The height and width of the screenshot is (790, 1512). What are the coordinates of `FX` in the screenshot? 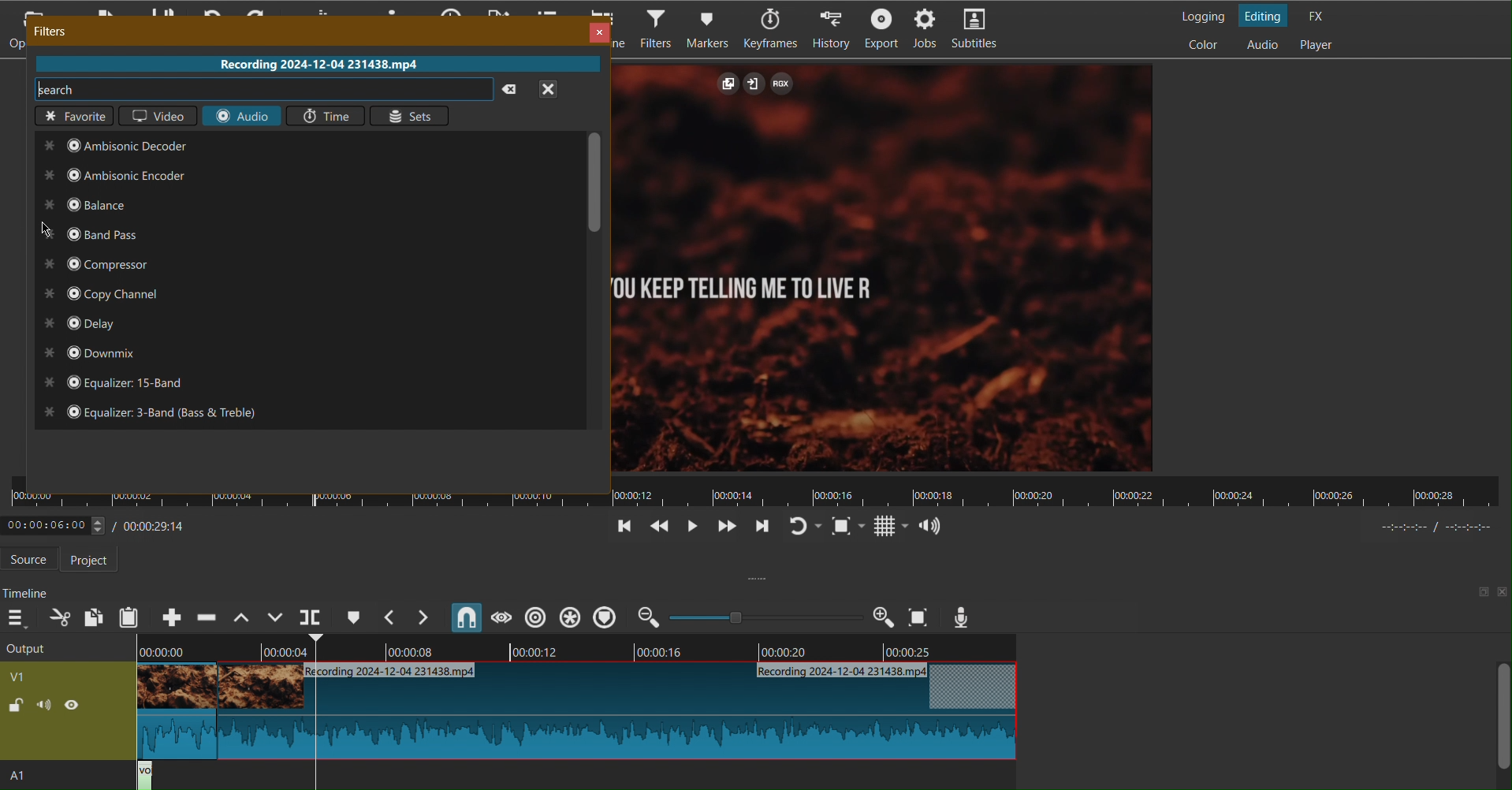 It's located at (1320, 15).